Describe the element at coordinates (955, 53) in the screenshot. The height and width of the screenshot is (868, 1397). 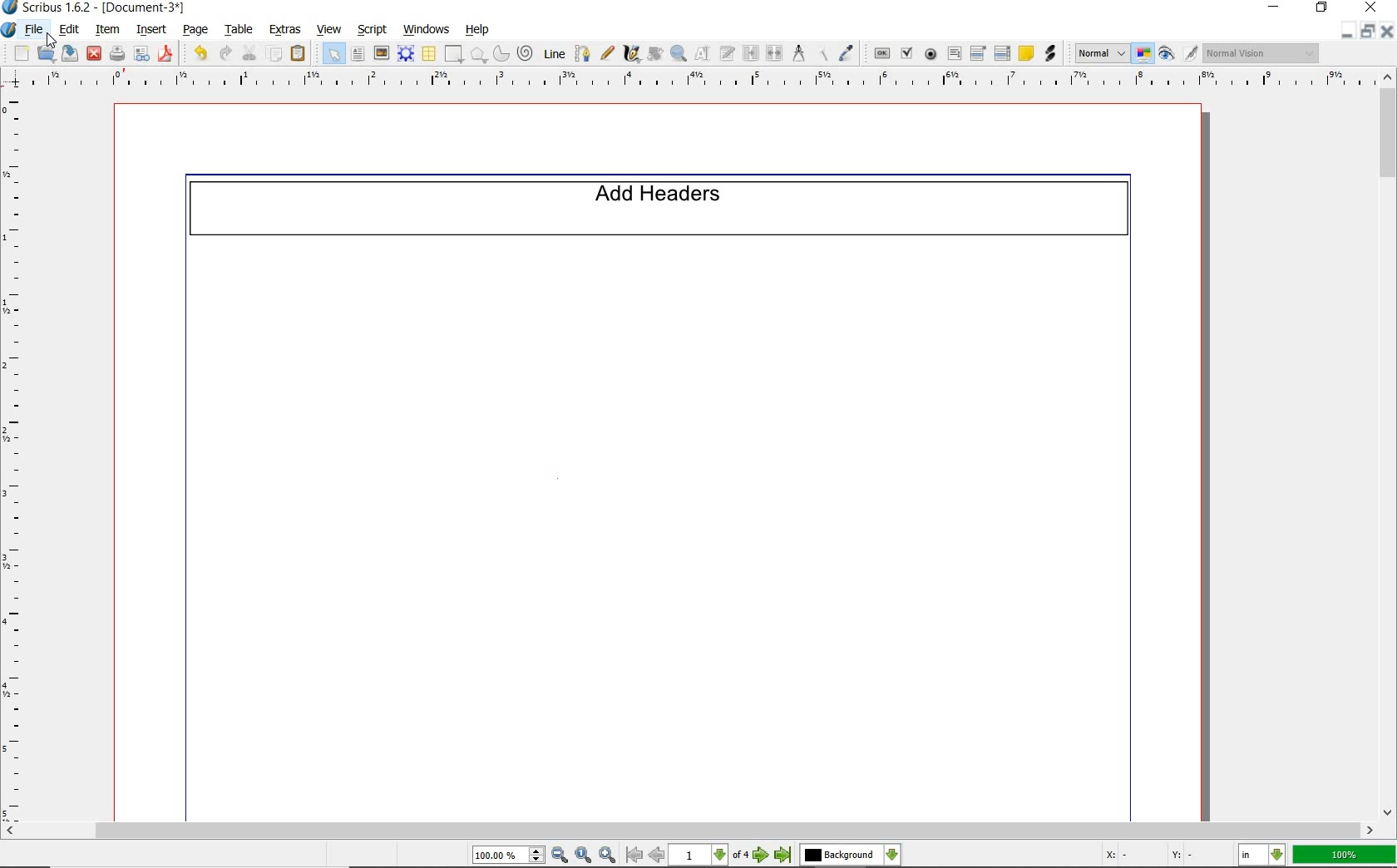
I see `pdf text field` at that location.